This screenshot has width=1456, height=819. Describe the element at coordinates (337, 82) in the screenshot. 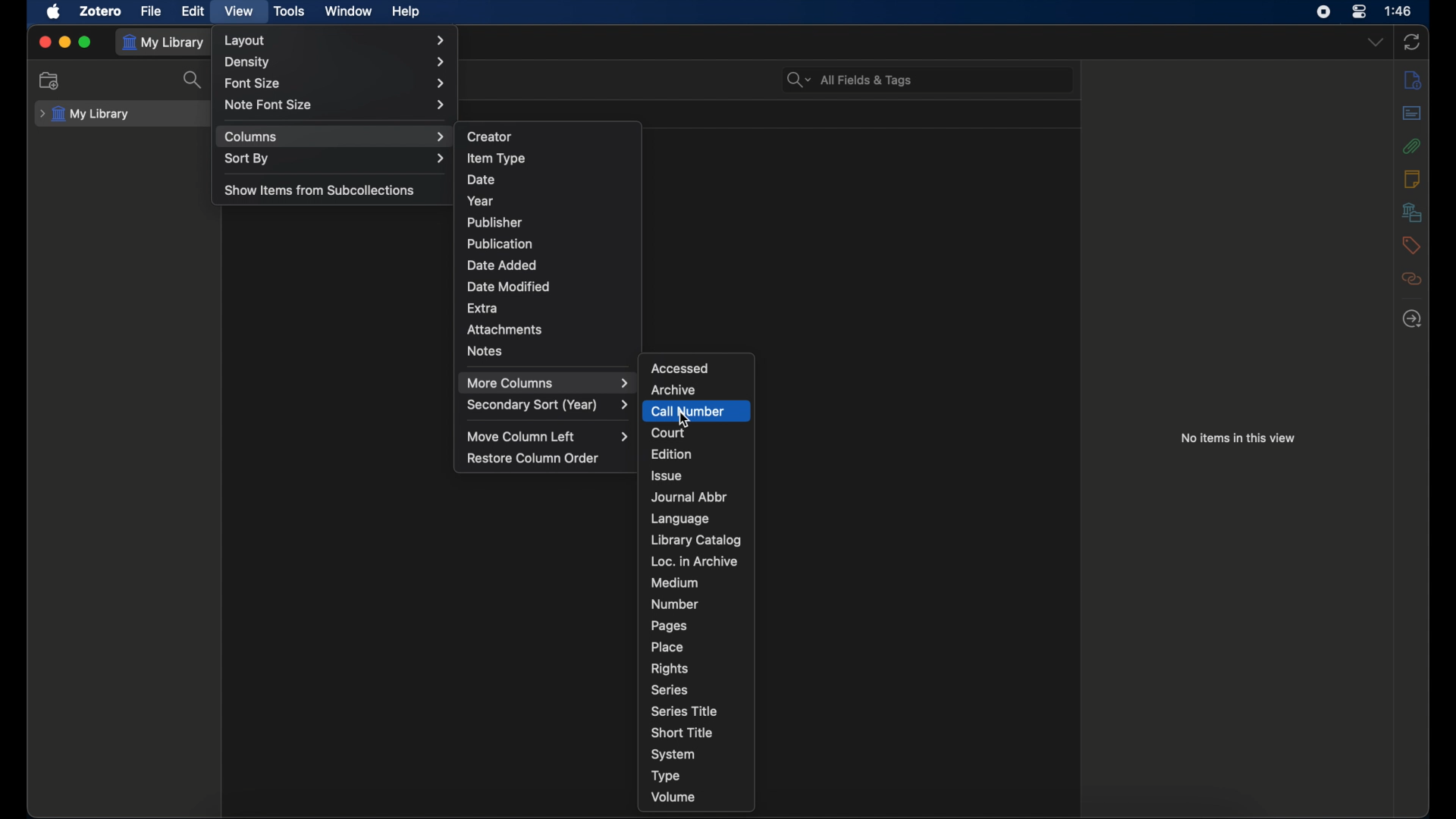

I see `font size` at that location.